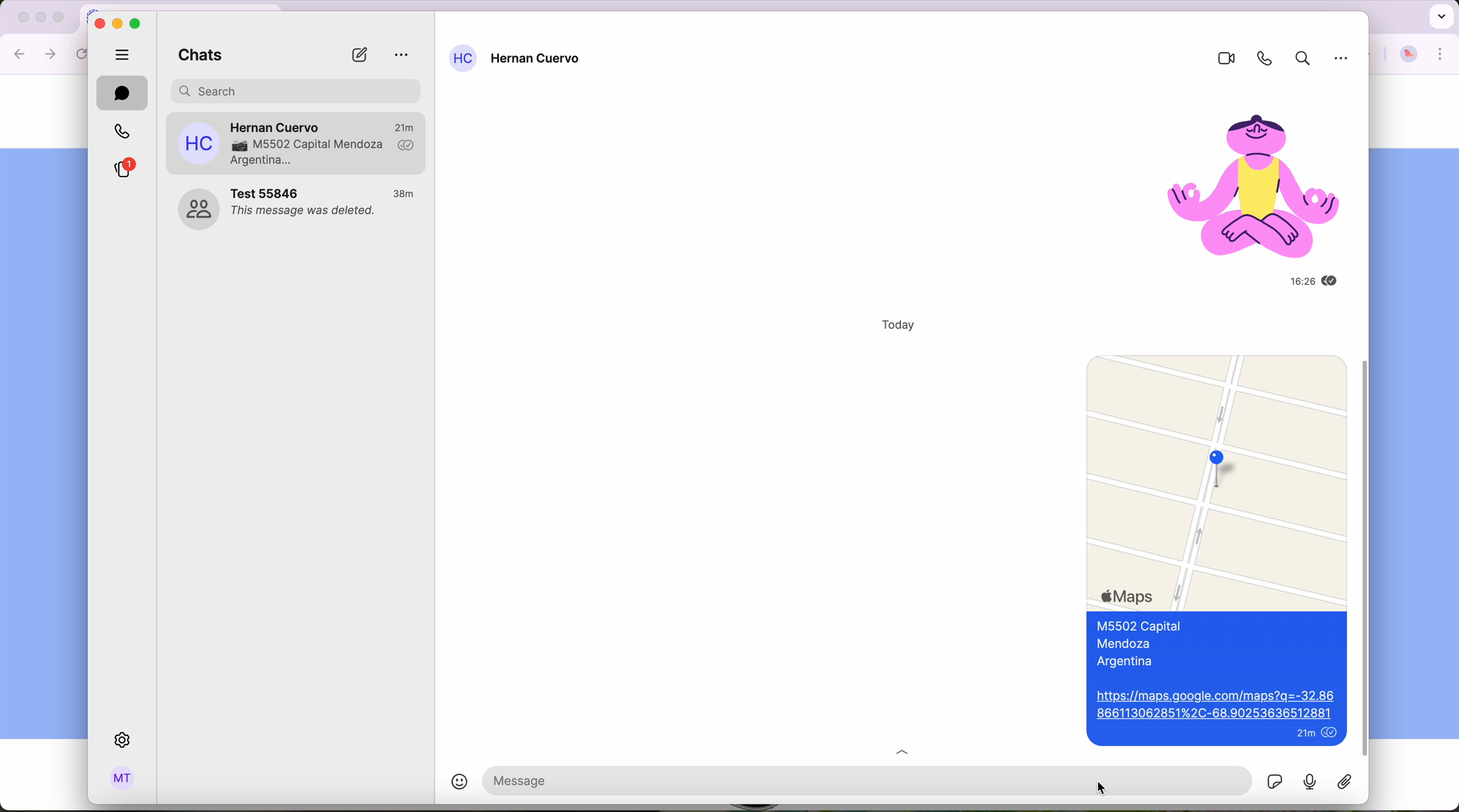  I want to click on seen, so click(1334, 281).